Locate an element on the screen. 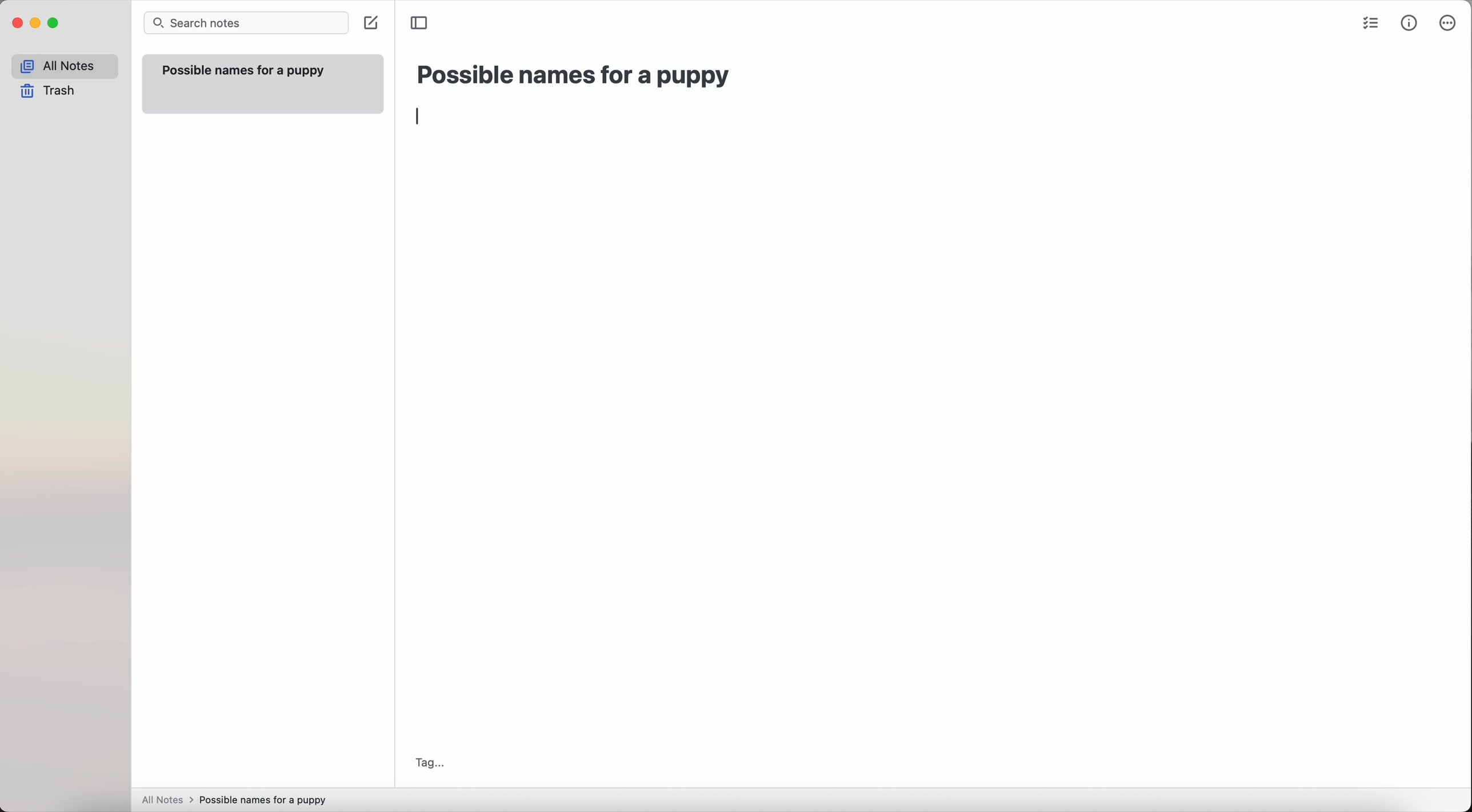  metrics is located at coordinates (1410, 23).